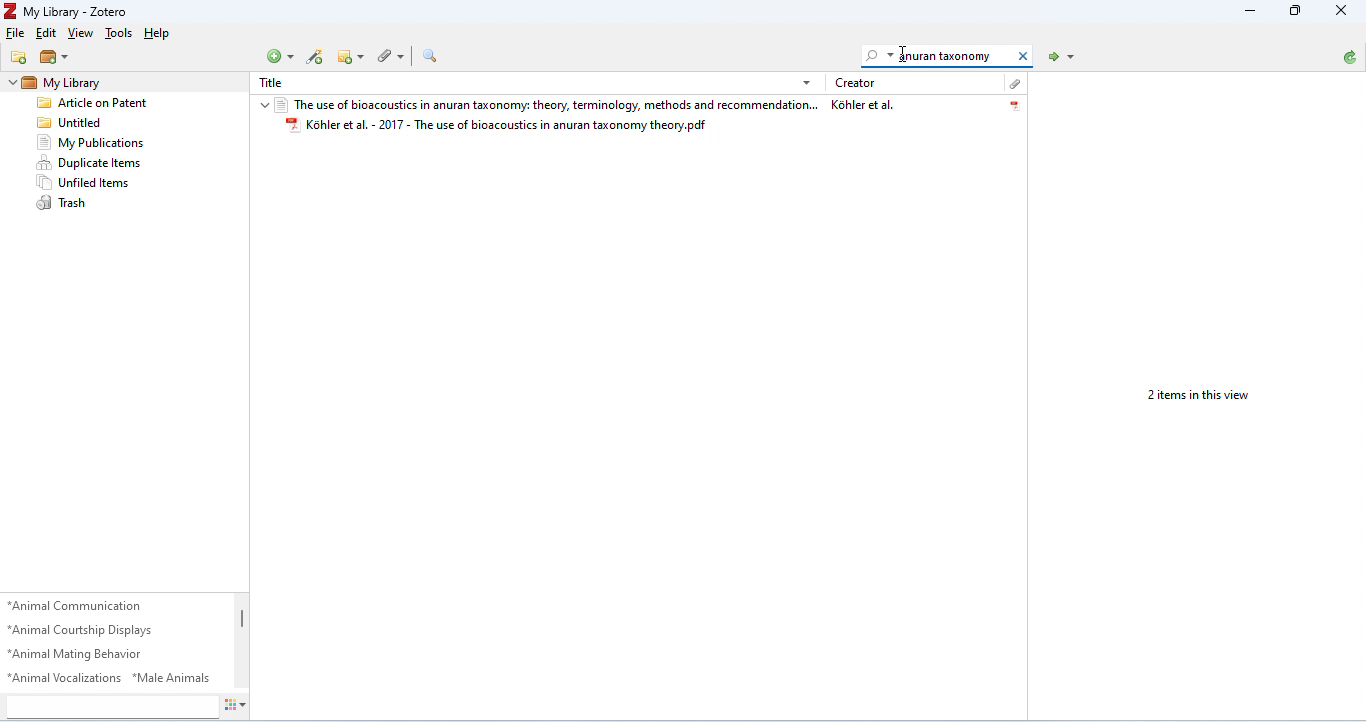 This screenshot has height=722, width=1366. Describe the element at coordinates (855, 84) in the screenshot. I see `Creator` at that location.